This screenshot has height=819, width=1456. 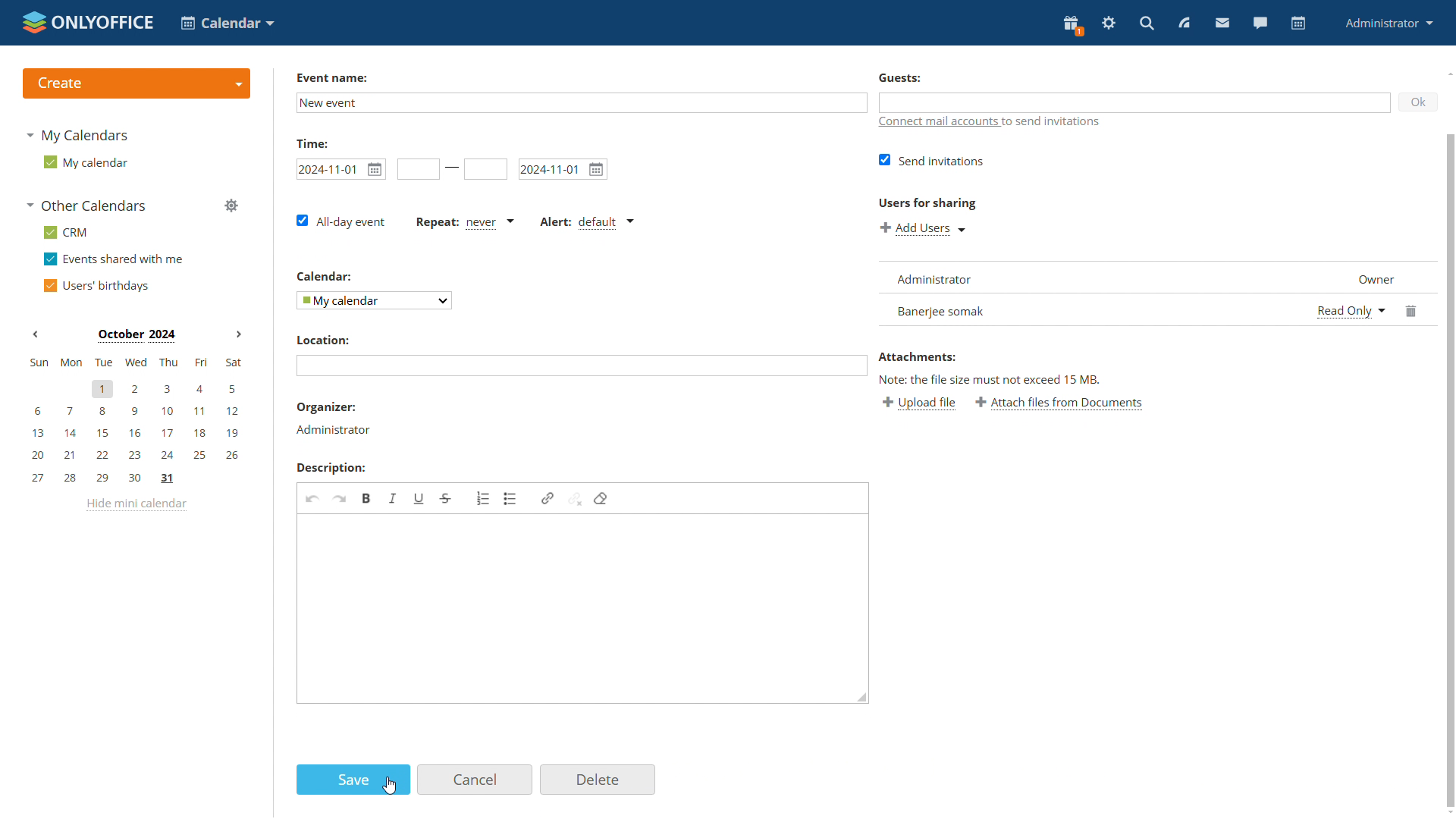 I want to click on send invitations, so click(x=931, y=161).